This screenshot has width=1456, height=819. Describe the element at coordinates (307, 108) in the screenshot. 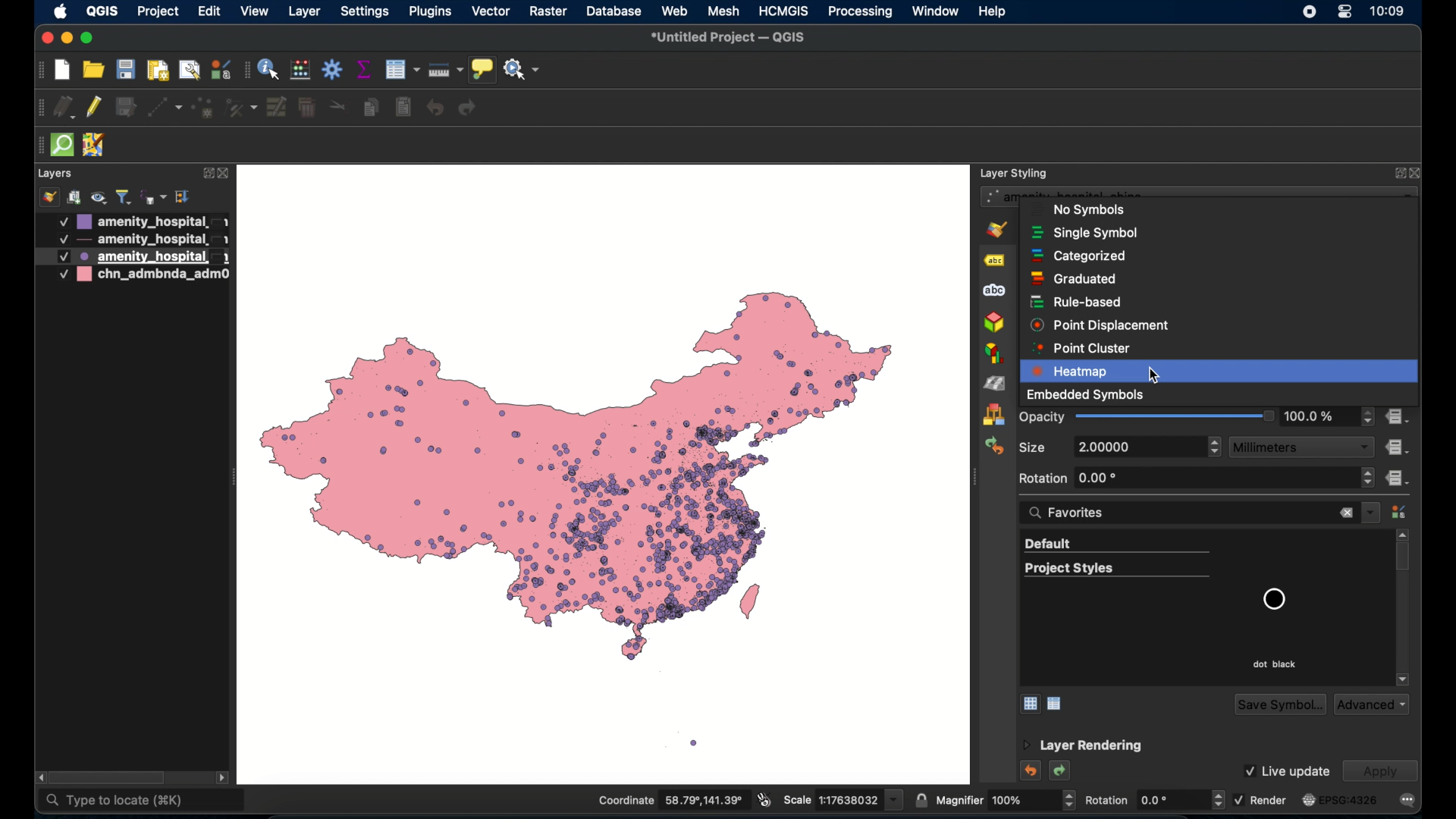

I see `delete selected` at that location.